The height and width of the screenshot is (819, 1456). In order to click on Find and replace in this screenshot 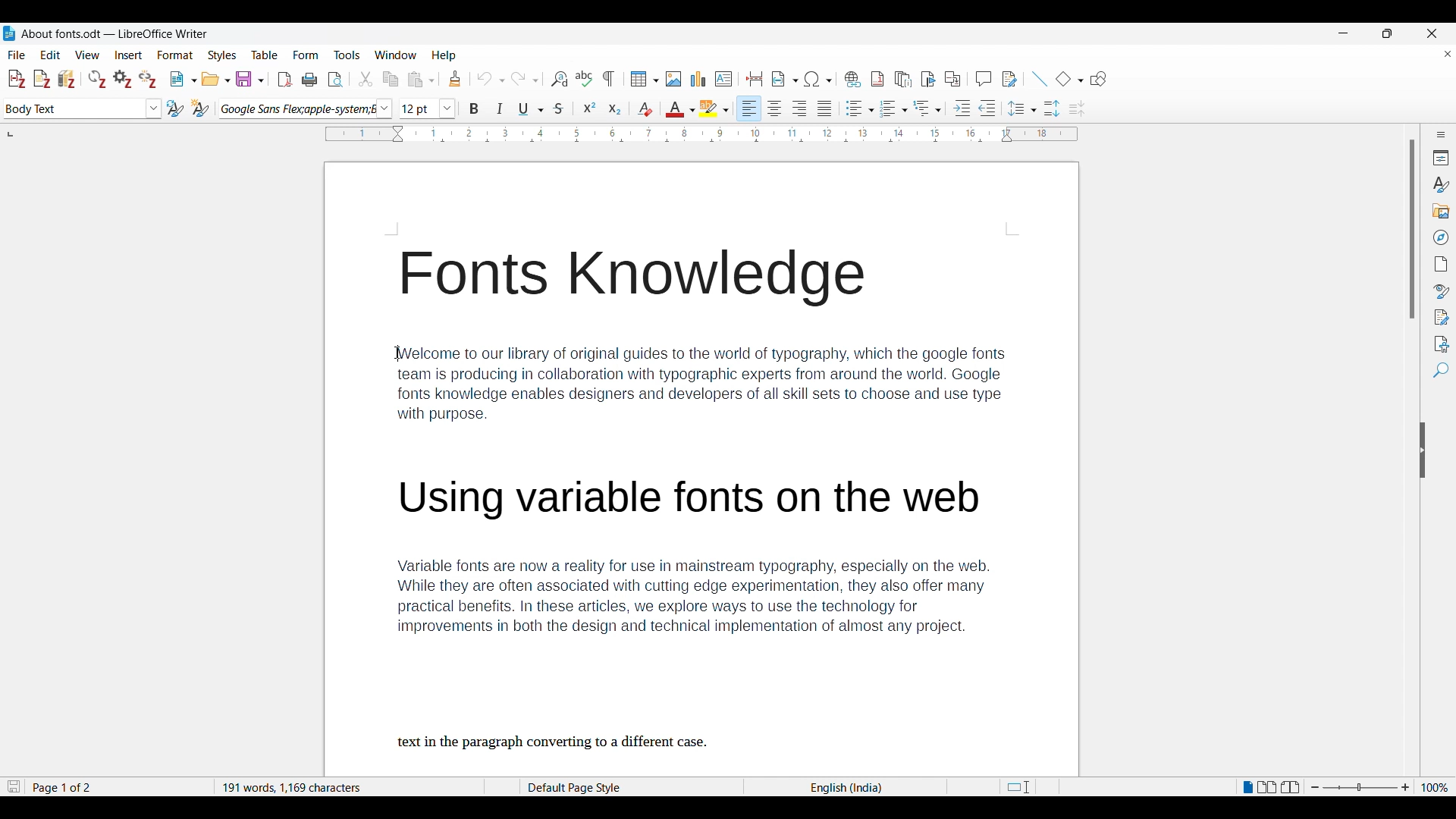, I will do `click(560, 80)`.